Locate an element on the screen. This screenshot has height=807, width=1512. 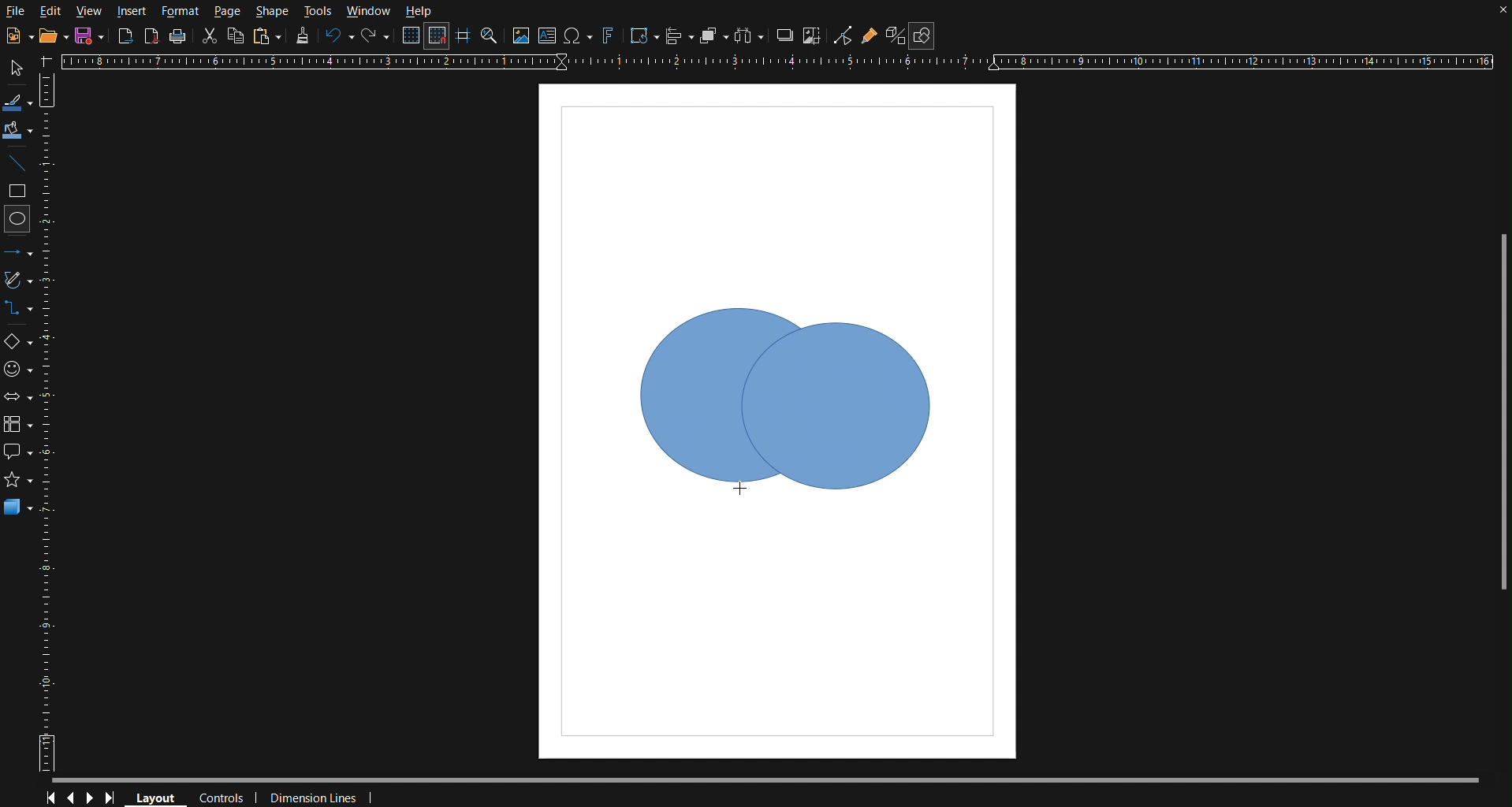
star shape is located at coordinates (20, 478).